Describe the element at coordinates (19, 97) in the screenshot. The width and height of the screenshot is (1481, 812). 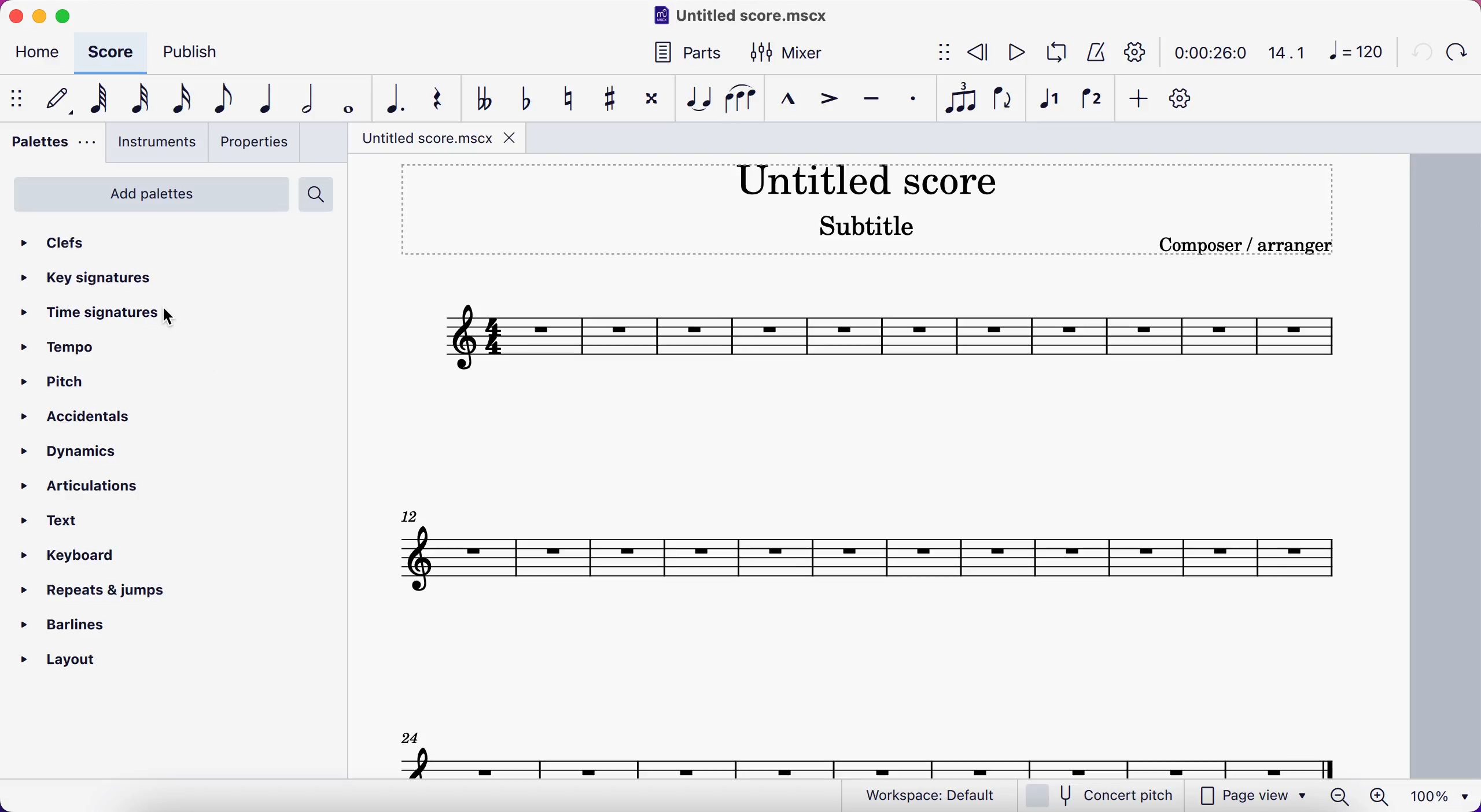
I see `show/hide` at that location.